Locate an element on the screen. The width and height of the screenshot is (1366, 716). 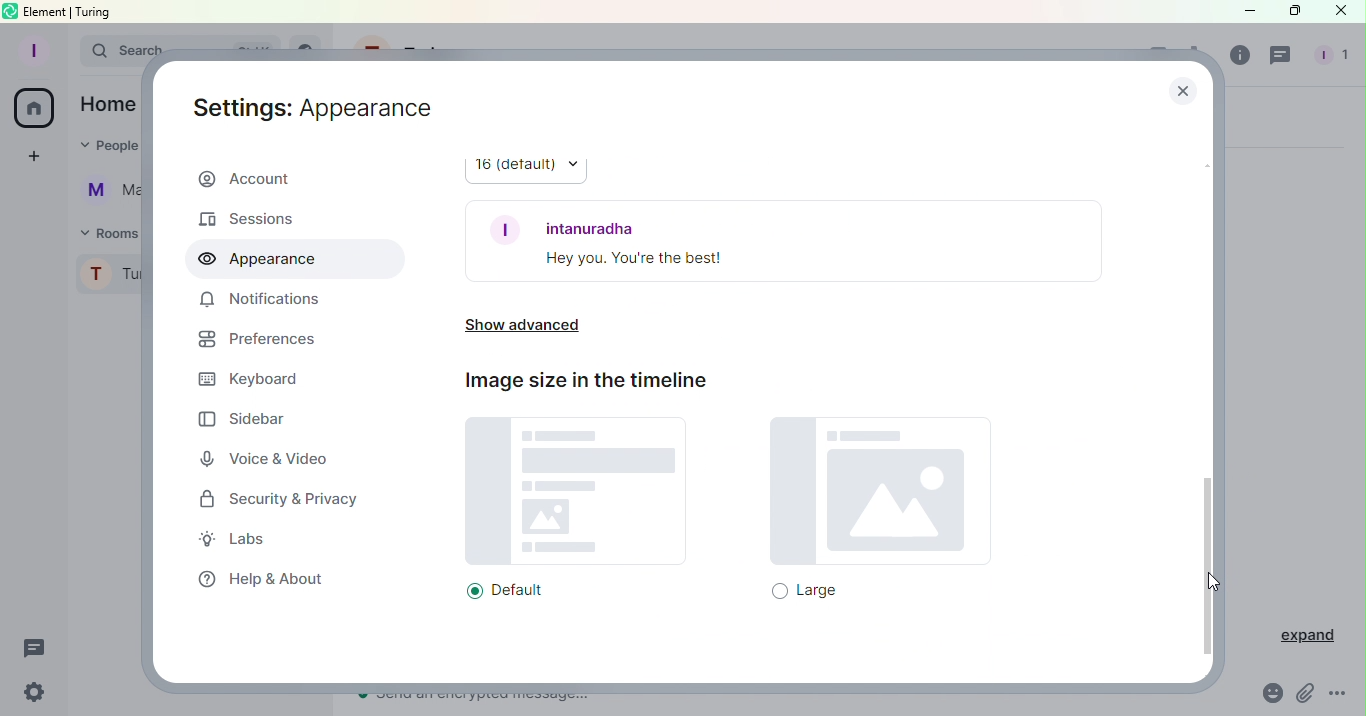
More Options is located at coordinates (1345, 695).